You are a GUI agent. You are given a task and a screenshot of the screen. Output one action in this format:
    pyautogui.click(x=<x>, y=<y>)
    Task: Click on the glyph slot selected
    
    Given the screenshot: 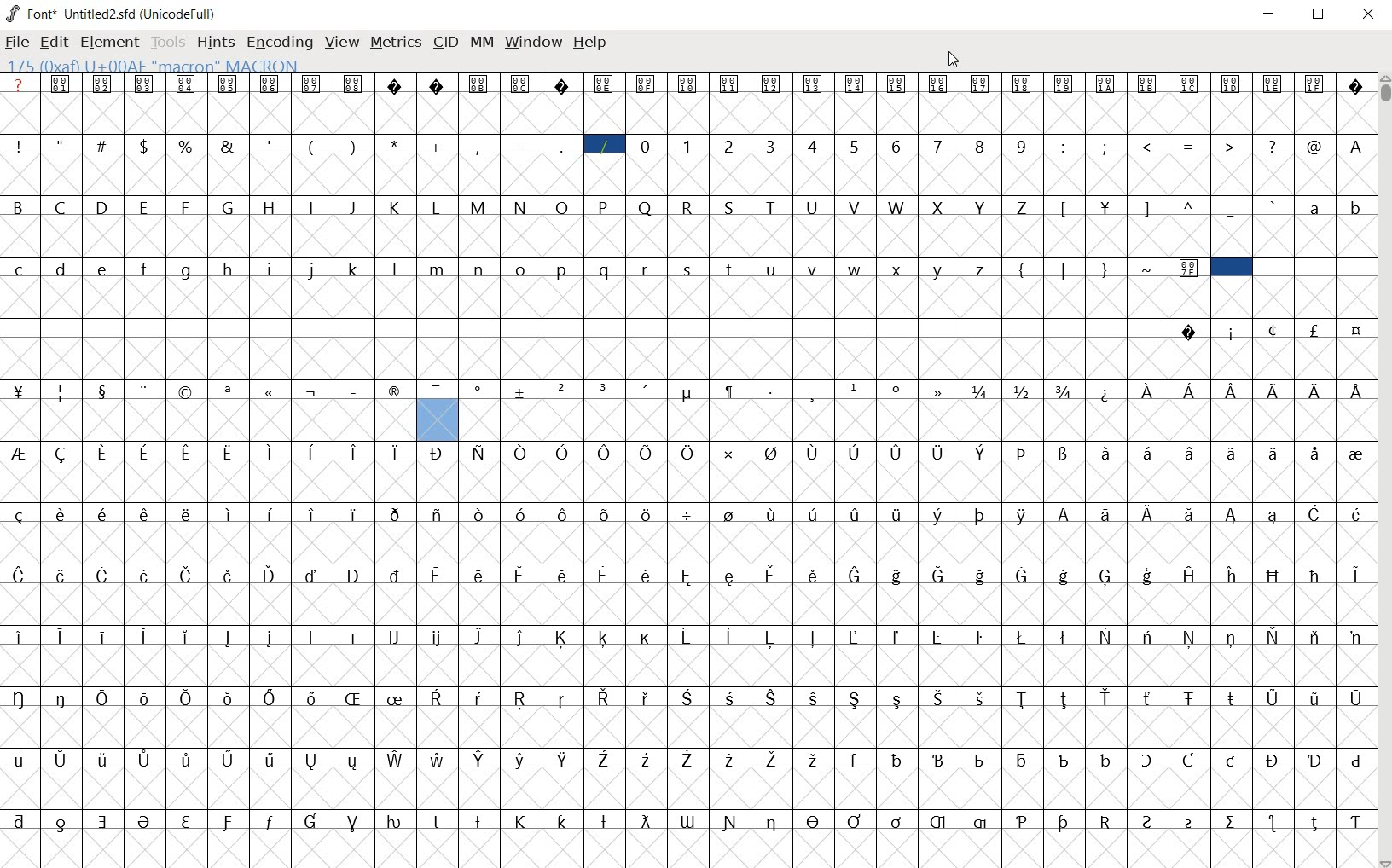 What is the action you would take?
    pyautogui.click(x=436, y=420)
    